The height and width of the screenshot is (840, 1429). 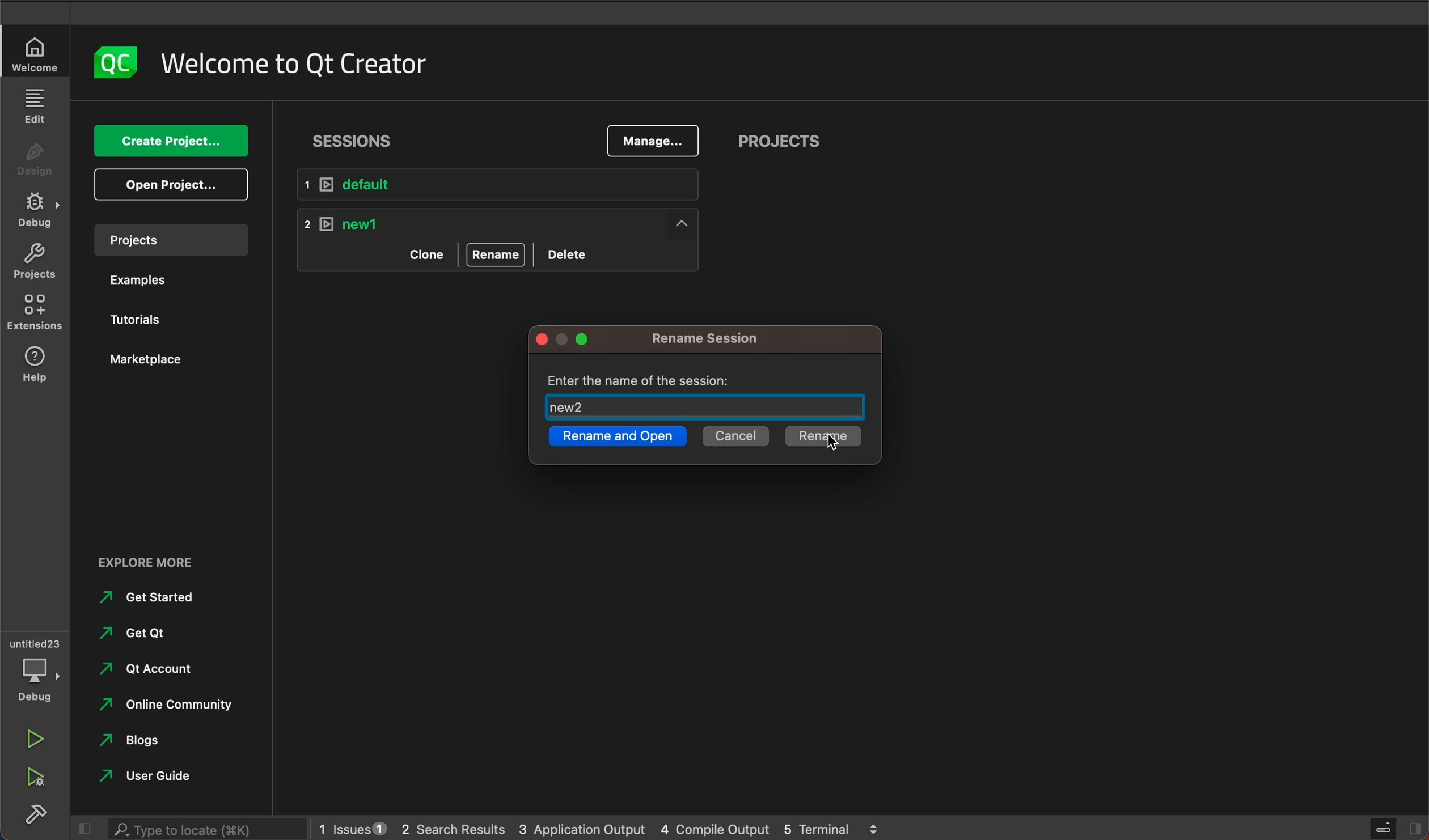 I want to click on select, so click(x=825, y=436).